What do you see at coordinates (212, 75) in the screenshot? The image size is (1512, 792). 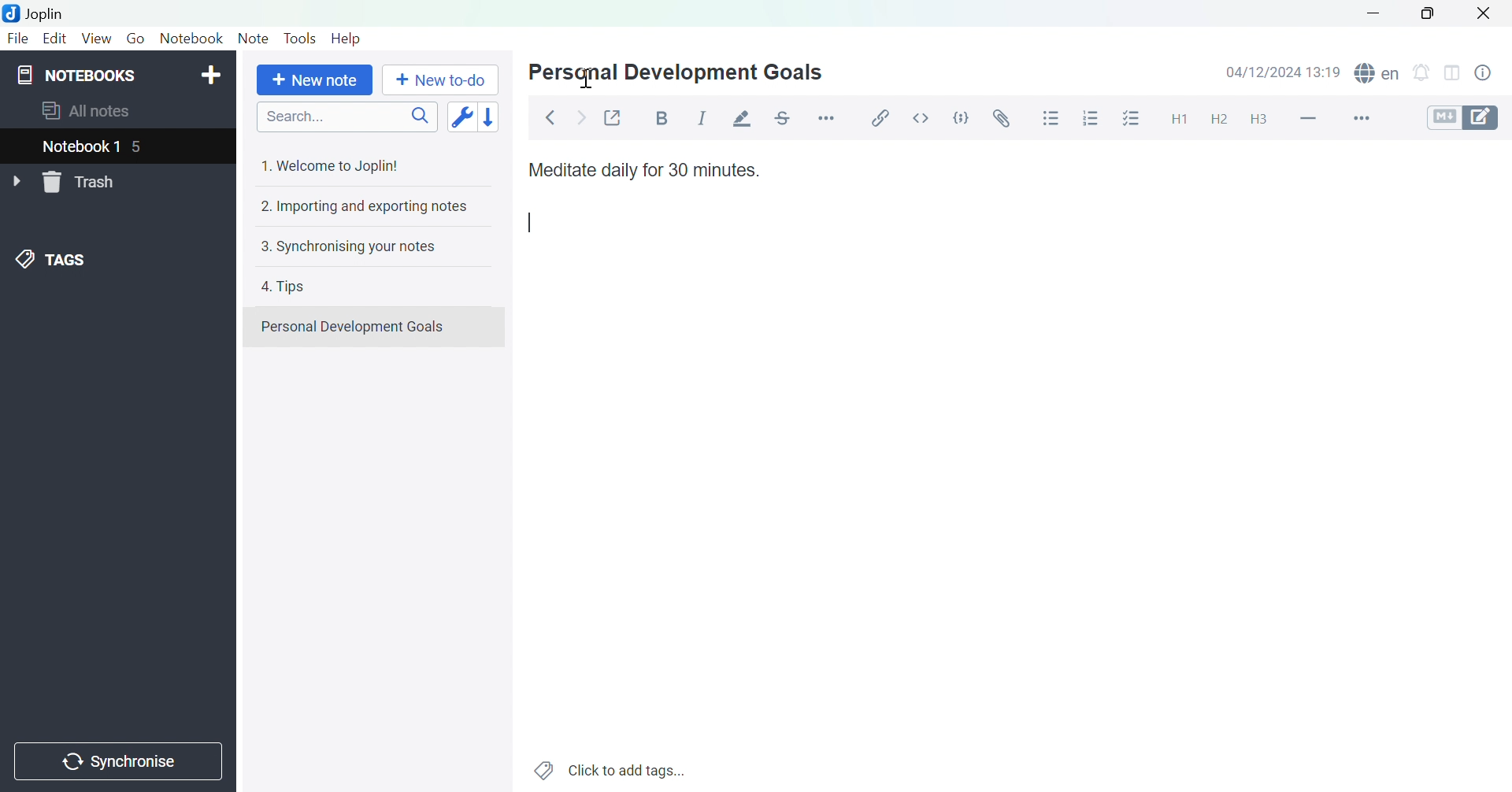 I see `Add notebook` at bounding box center [212, 75].